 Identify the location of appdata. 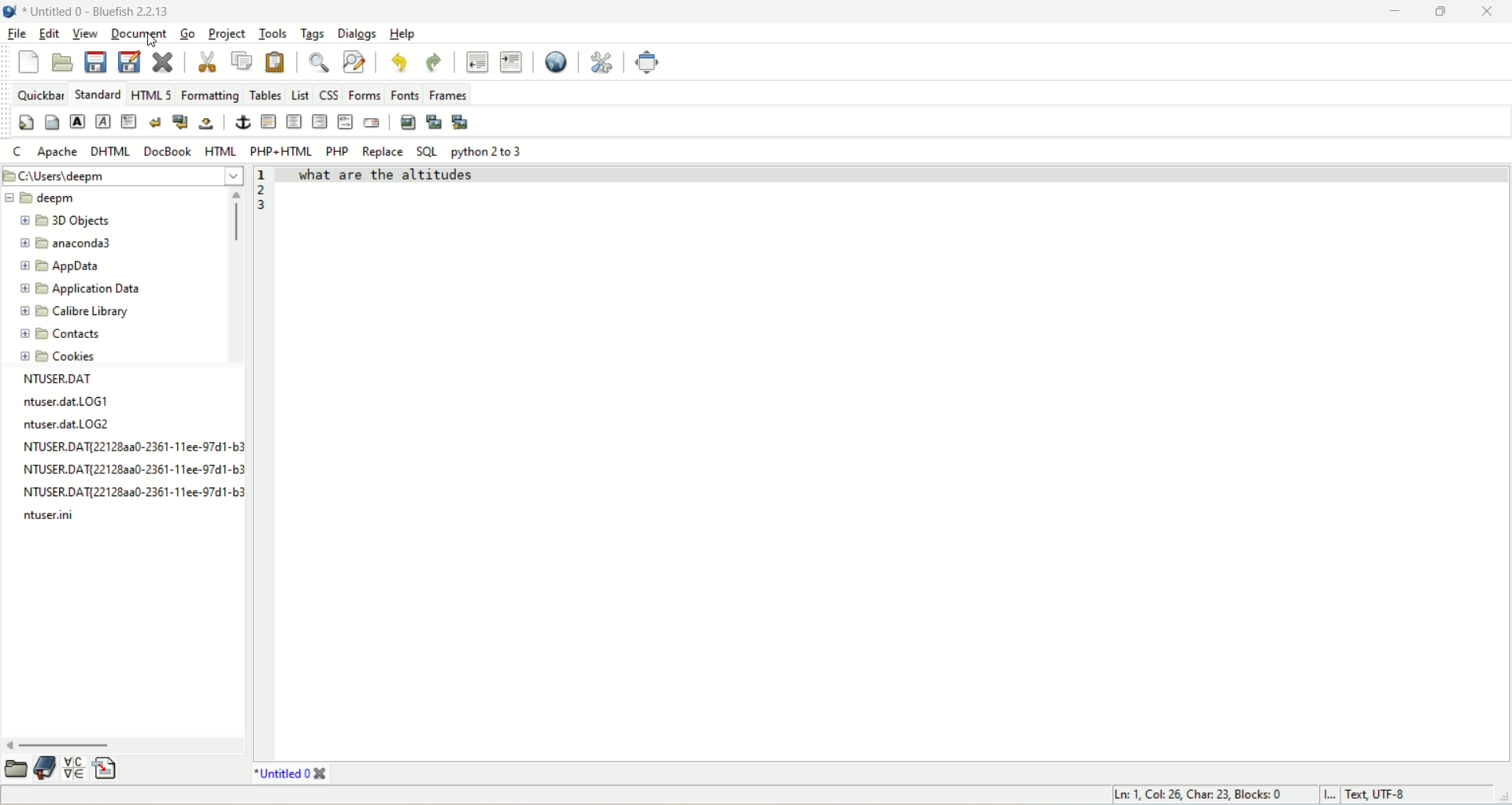
(66, 269).